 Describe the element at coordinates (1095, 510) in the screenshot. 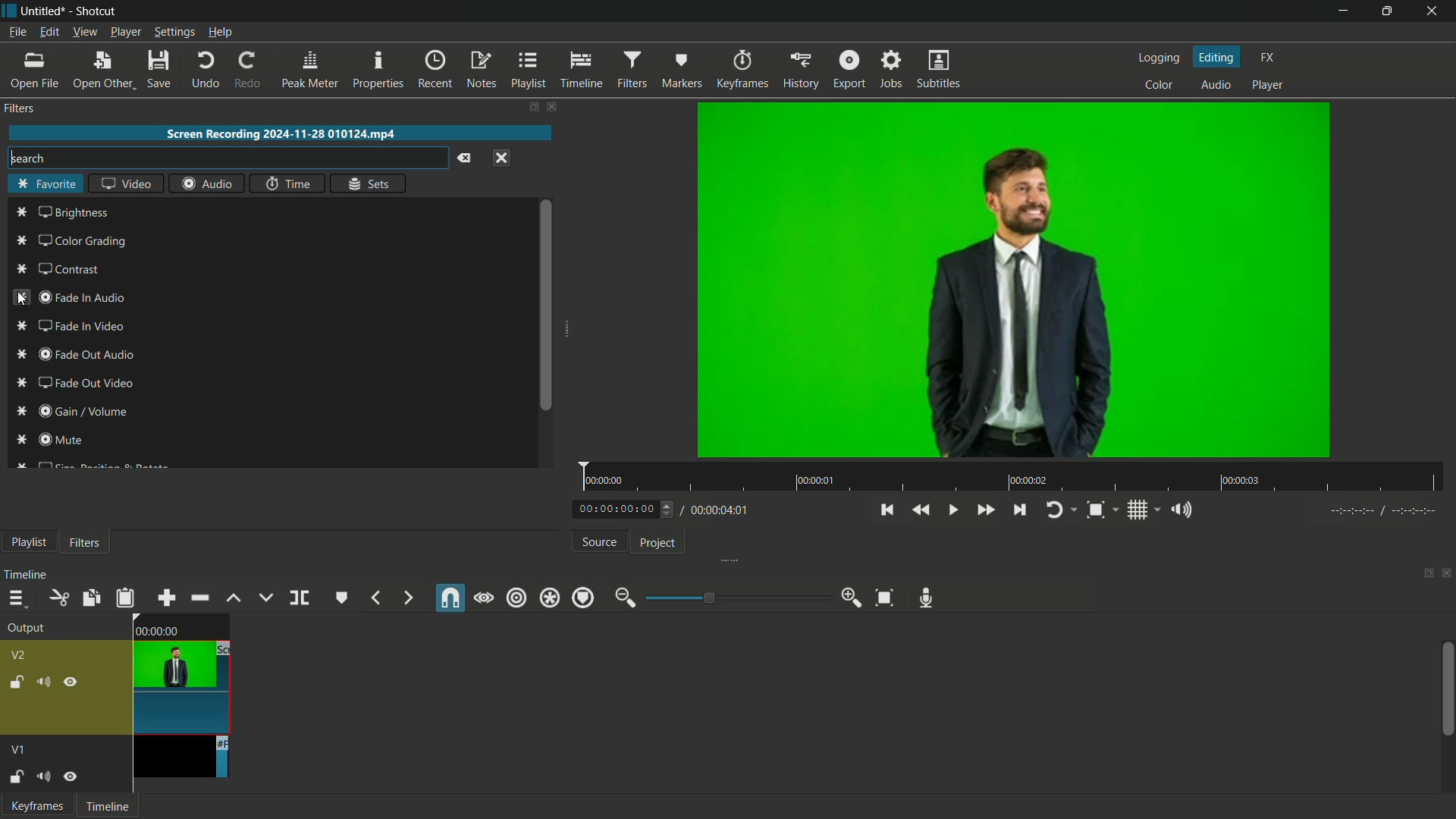

I see `toggle zoom` at that location.